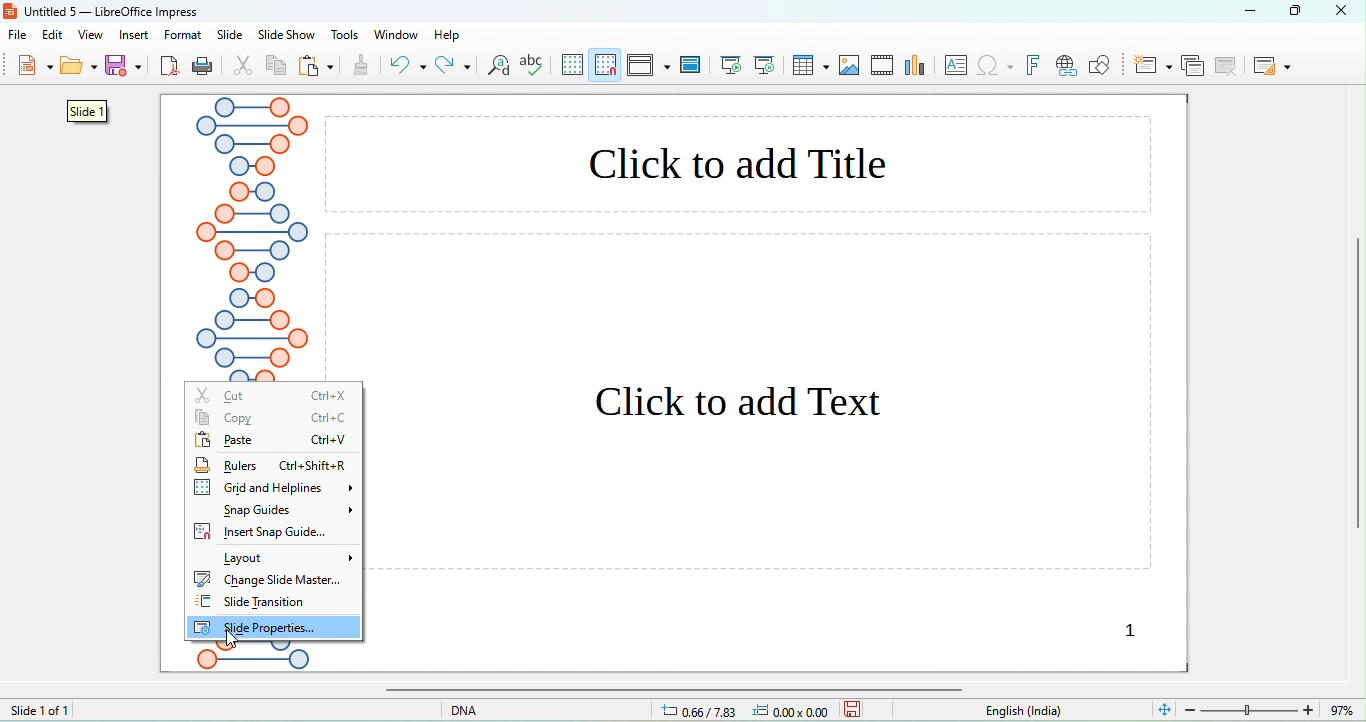 This screenshot has width=1366, height=722. What do you see at coordinates (408, 65) in the screenshot?
I see `undo` at bounding box center [408, 65].